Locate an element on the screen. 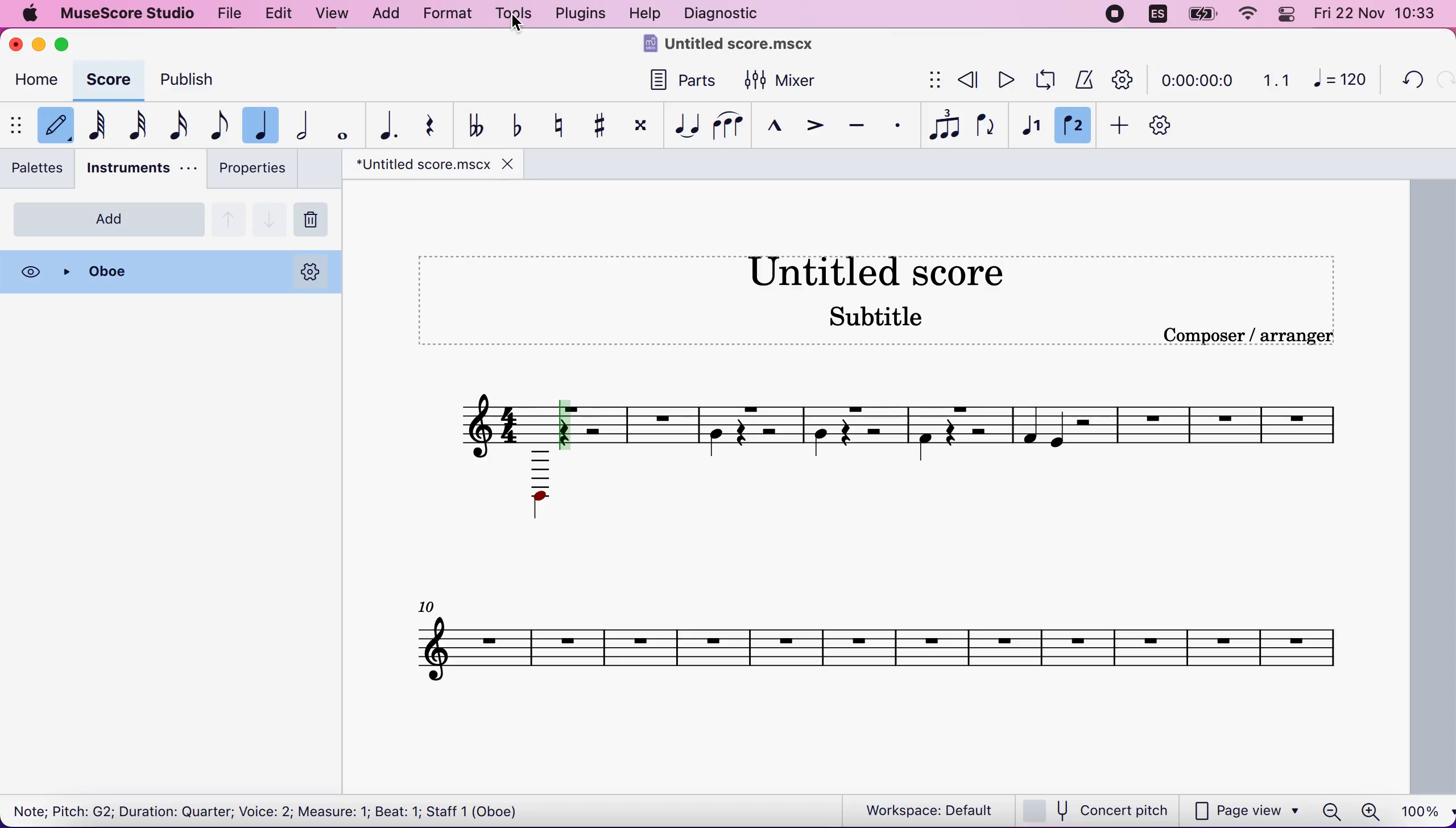 The width and height of the screenshot is (1456, 828). zoom in is located at coordinates (1371, 810).